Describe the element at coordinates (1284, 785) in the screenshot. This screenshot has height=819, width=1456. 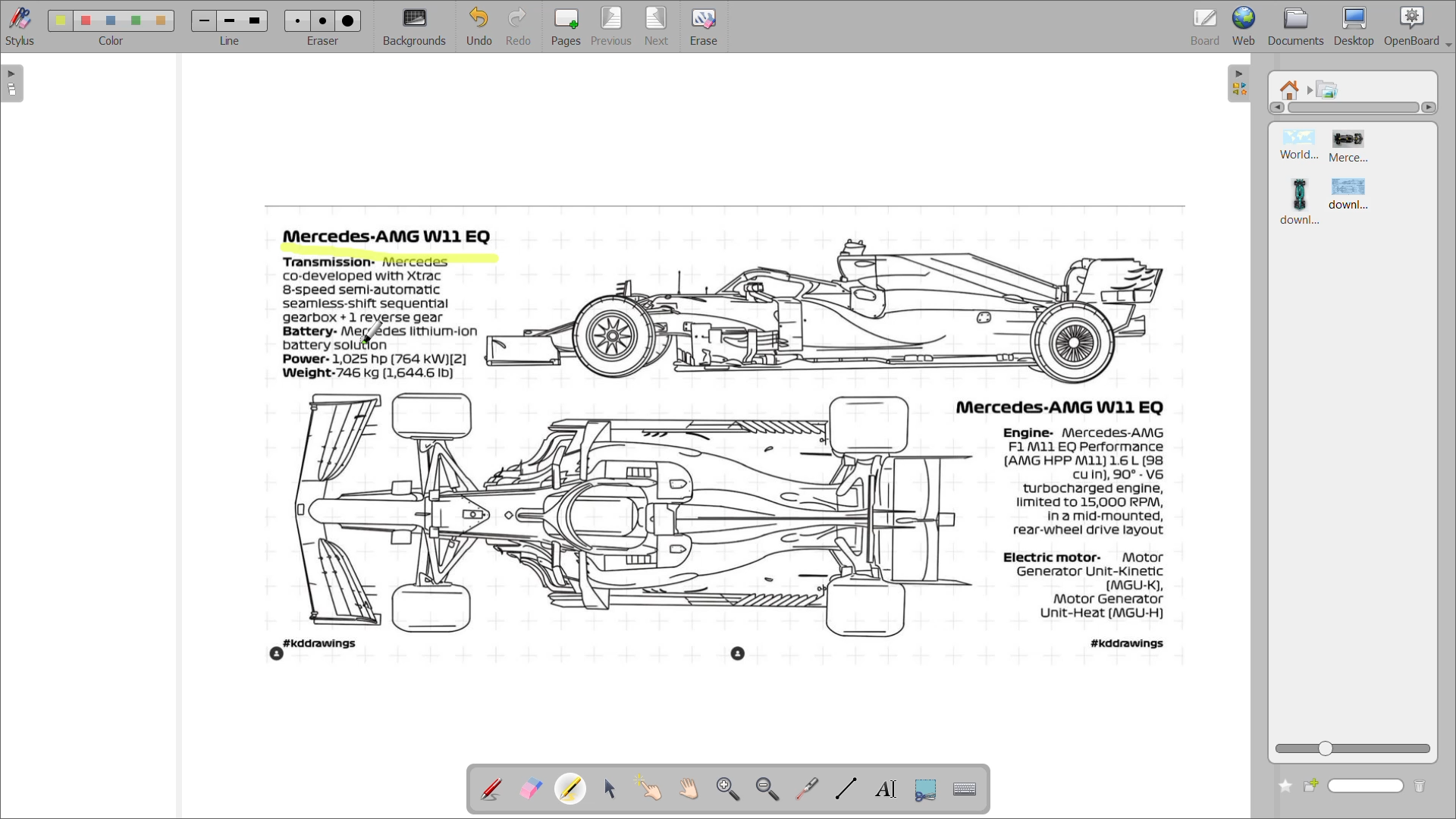
I see `add to favourites` at that location.